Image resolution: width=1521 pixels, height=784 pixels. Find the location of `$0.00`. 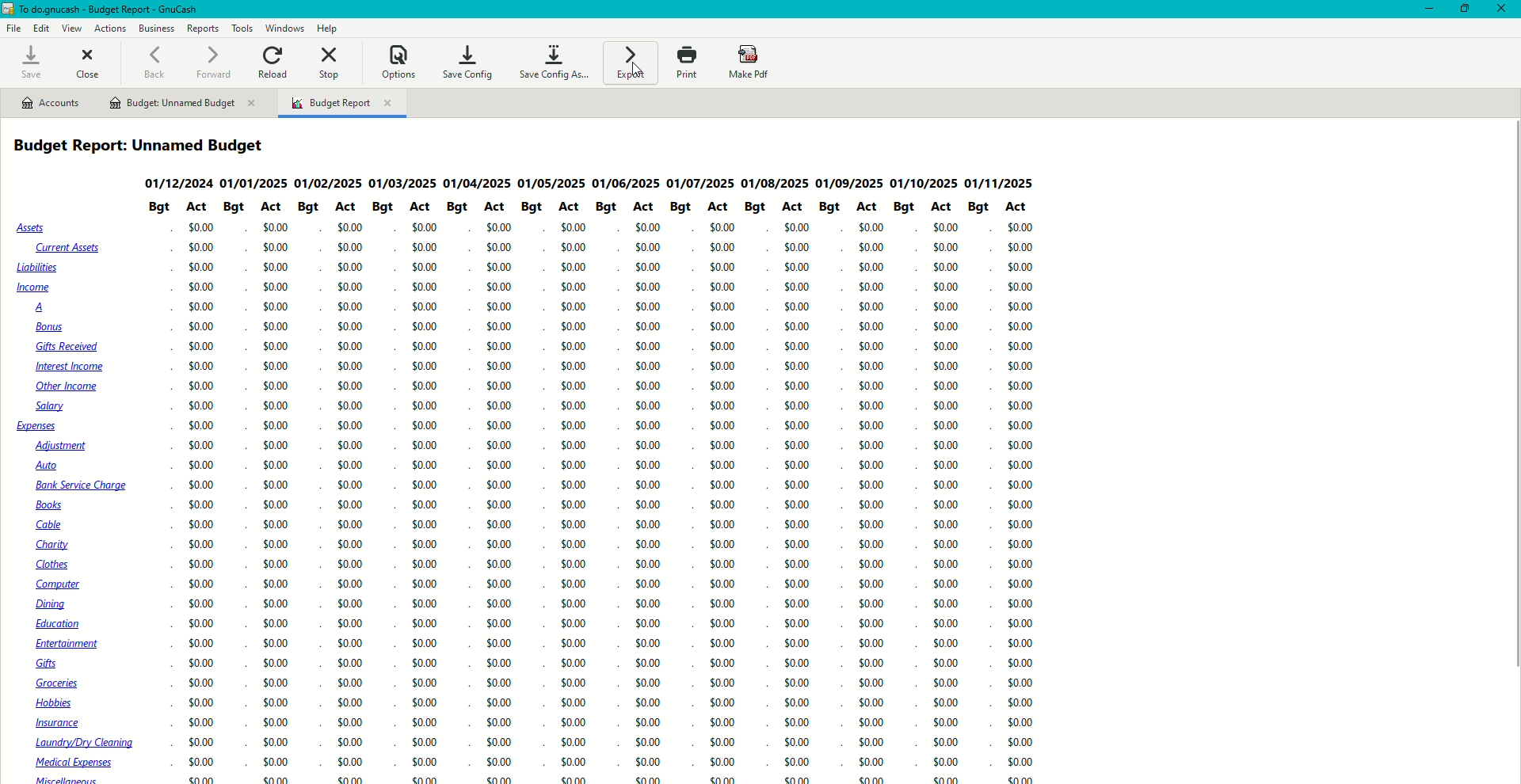

$0.00 is located at coordinates (279, 546).